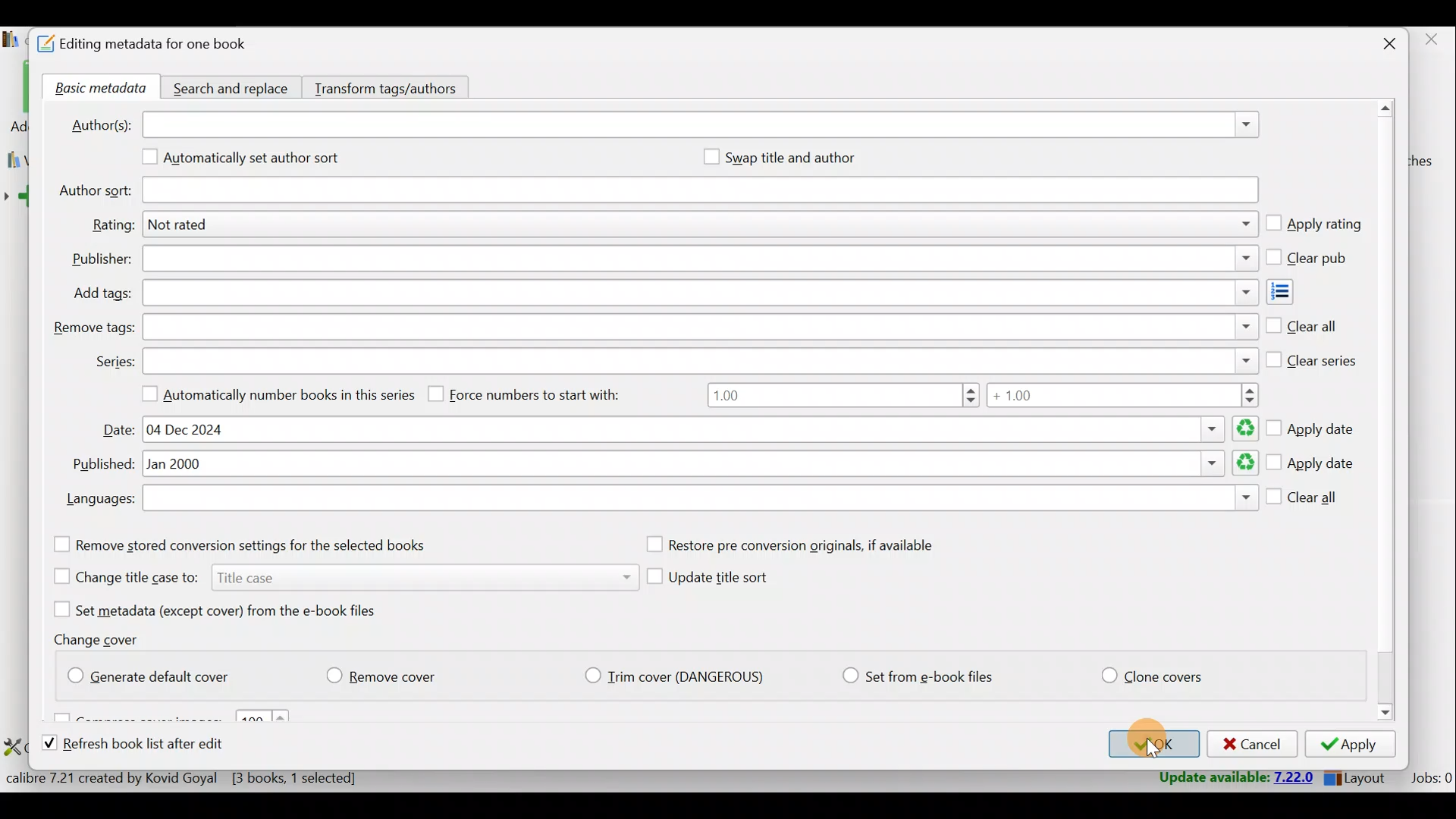 The width and height of the screenshot is (1456, 819). Describe the element at coordinates (260, 544) in the screenshot. I see `Remove stored conversion settings for the selected books` at that location.